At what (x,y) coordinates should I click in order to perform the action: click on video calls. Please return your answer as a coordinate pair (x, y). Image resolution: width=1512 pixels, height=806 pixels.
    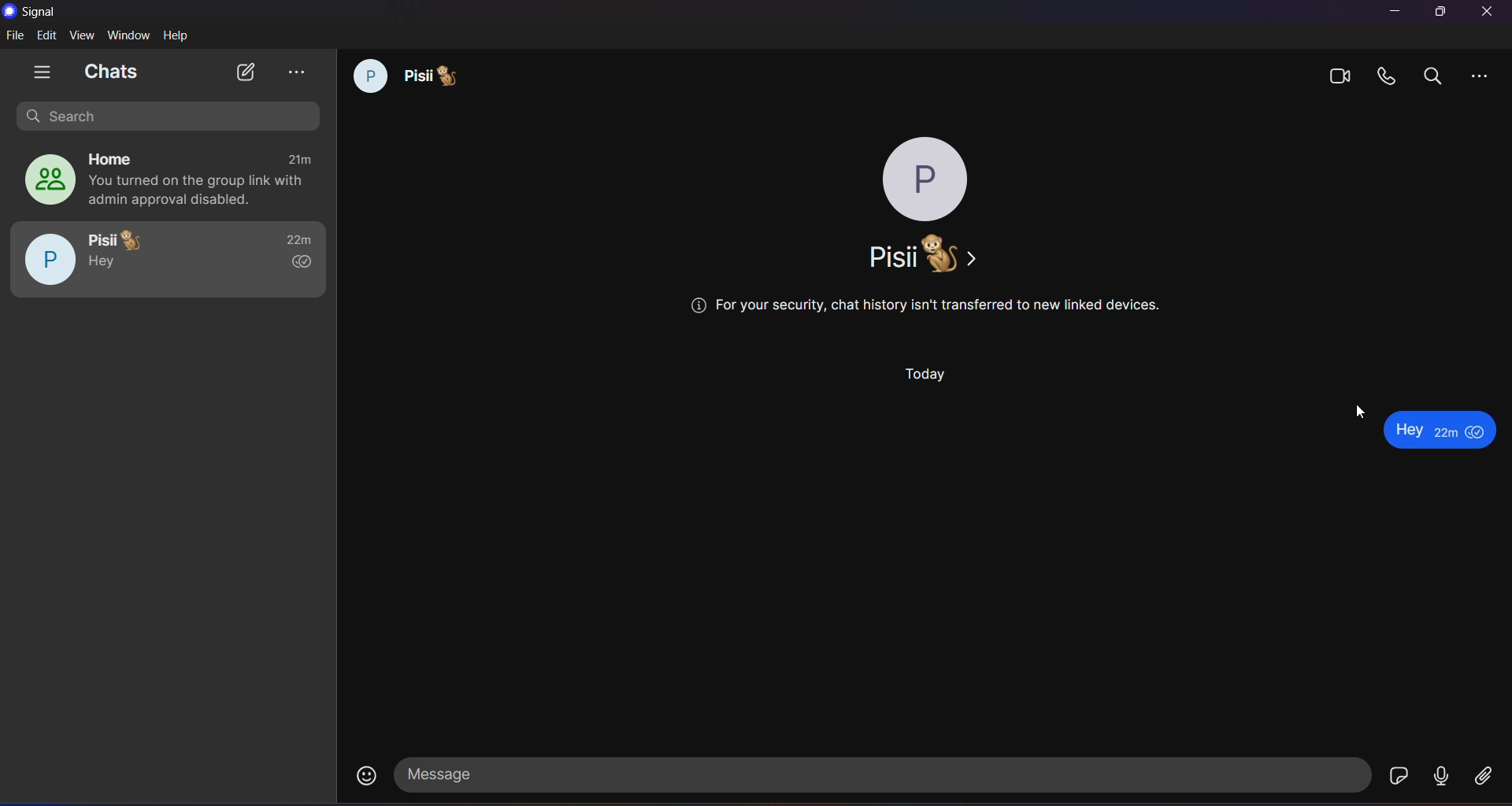
    Looking at the image, I should click on (1339, 74).